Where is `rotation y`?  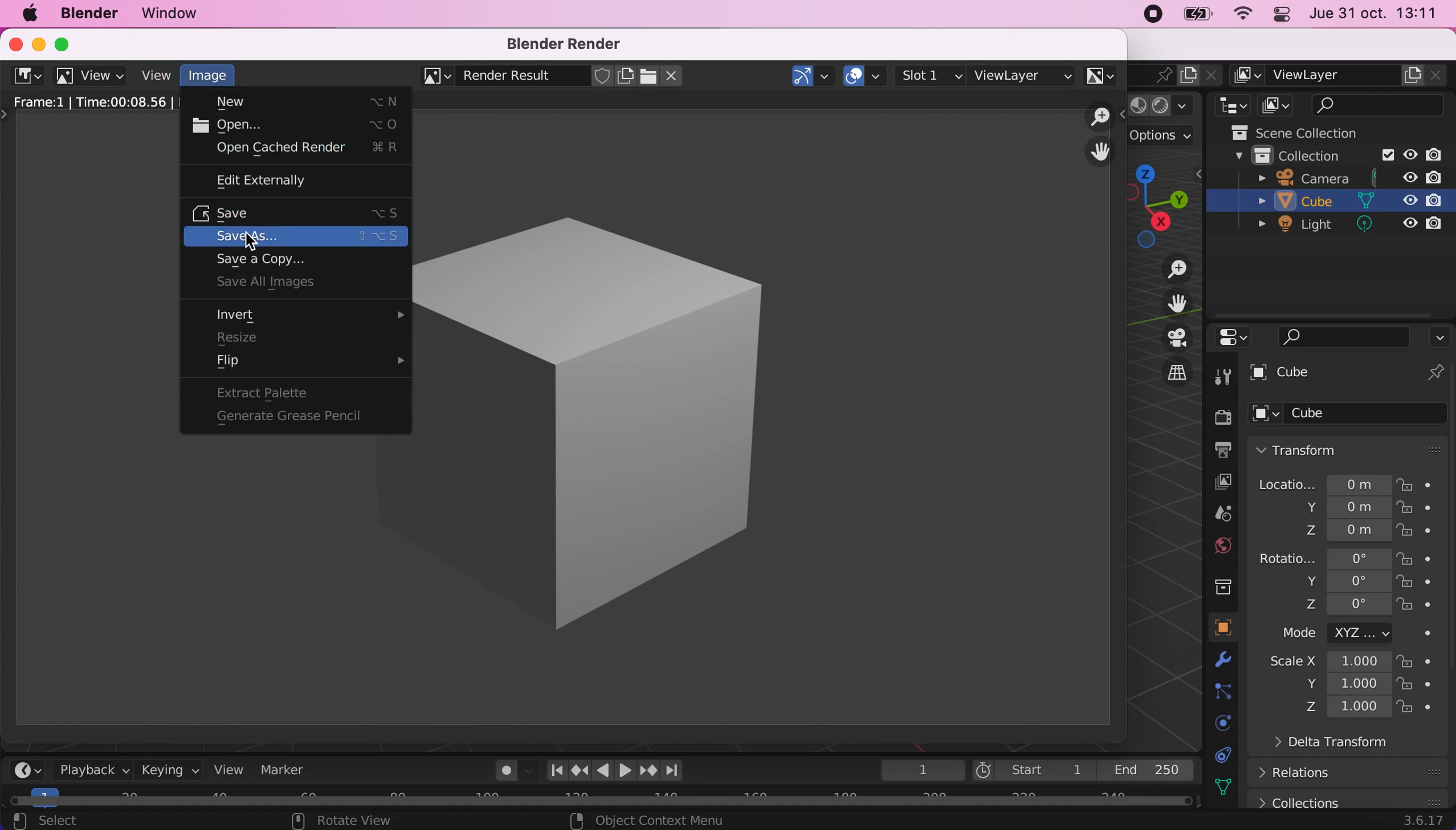 rotation y is located at coordinates (1335, 583).